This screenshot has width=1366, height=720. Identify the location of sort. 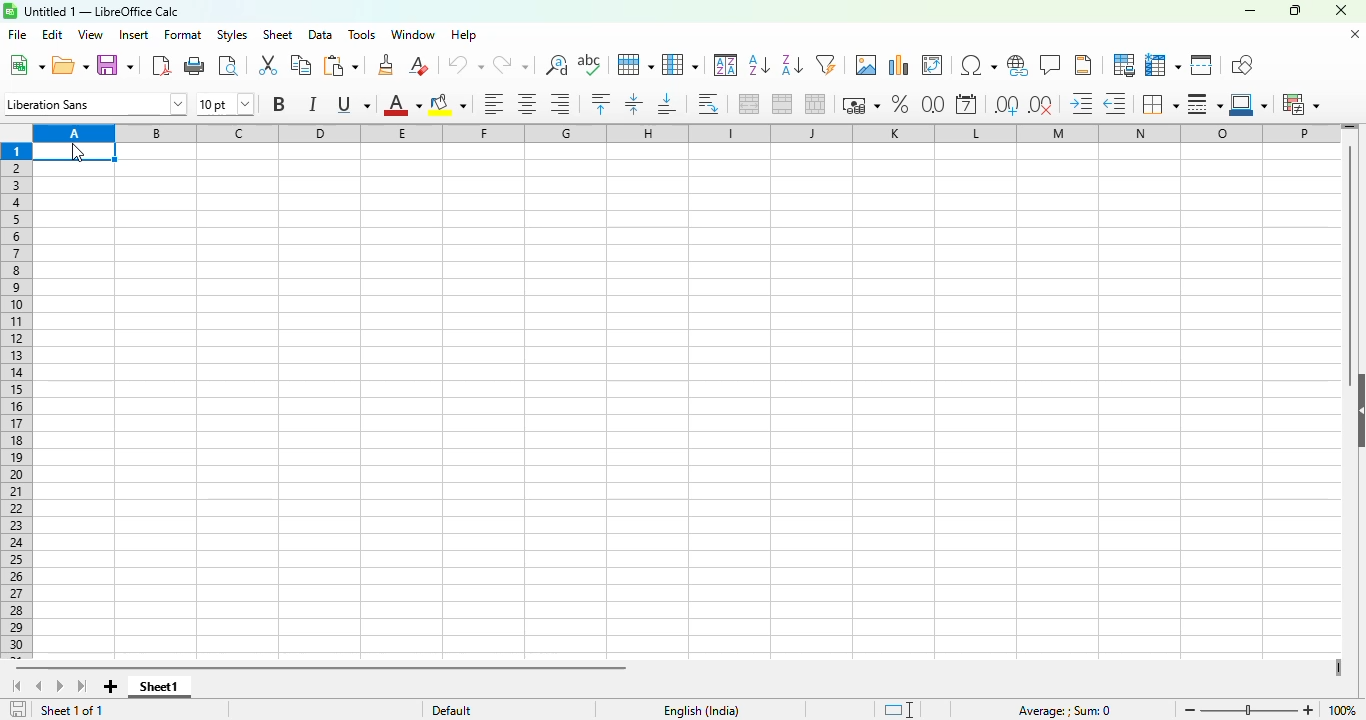
(726, 65).